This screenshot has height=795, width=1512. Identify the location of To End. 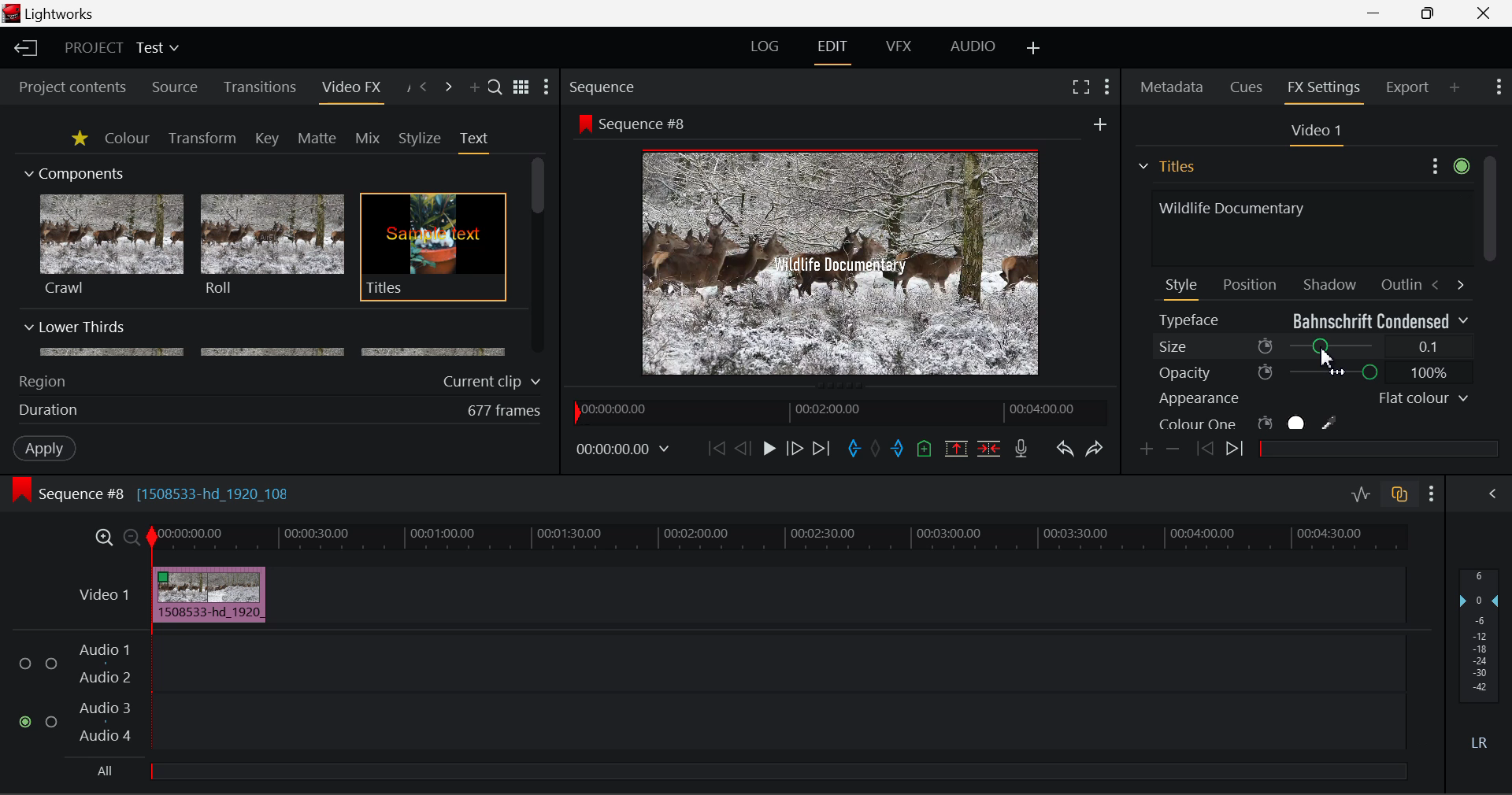
(822, 451).